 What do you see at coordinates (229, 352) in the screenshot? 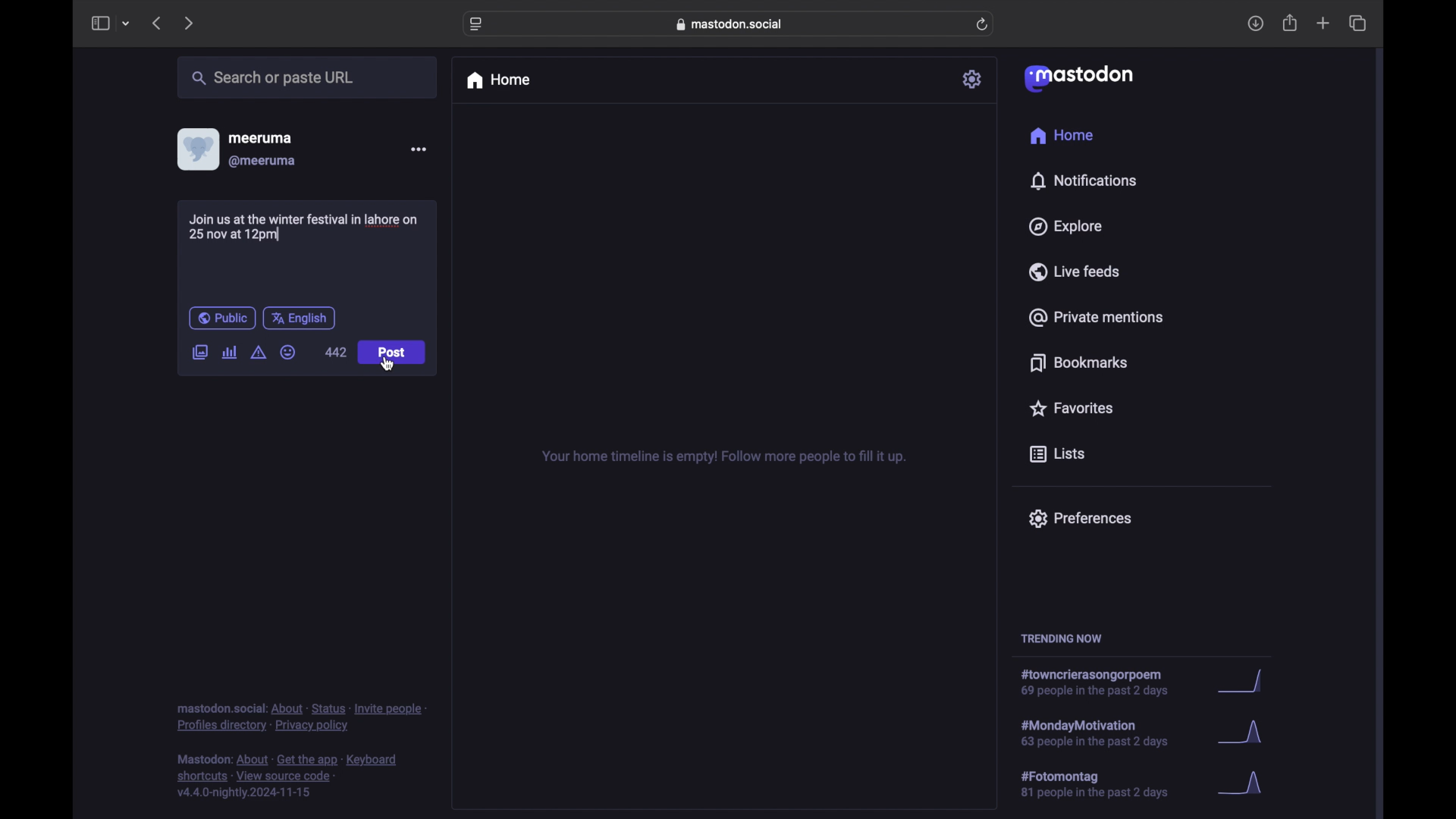
I see `add  poll` at bounding box center [229, 352].